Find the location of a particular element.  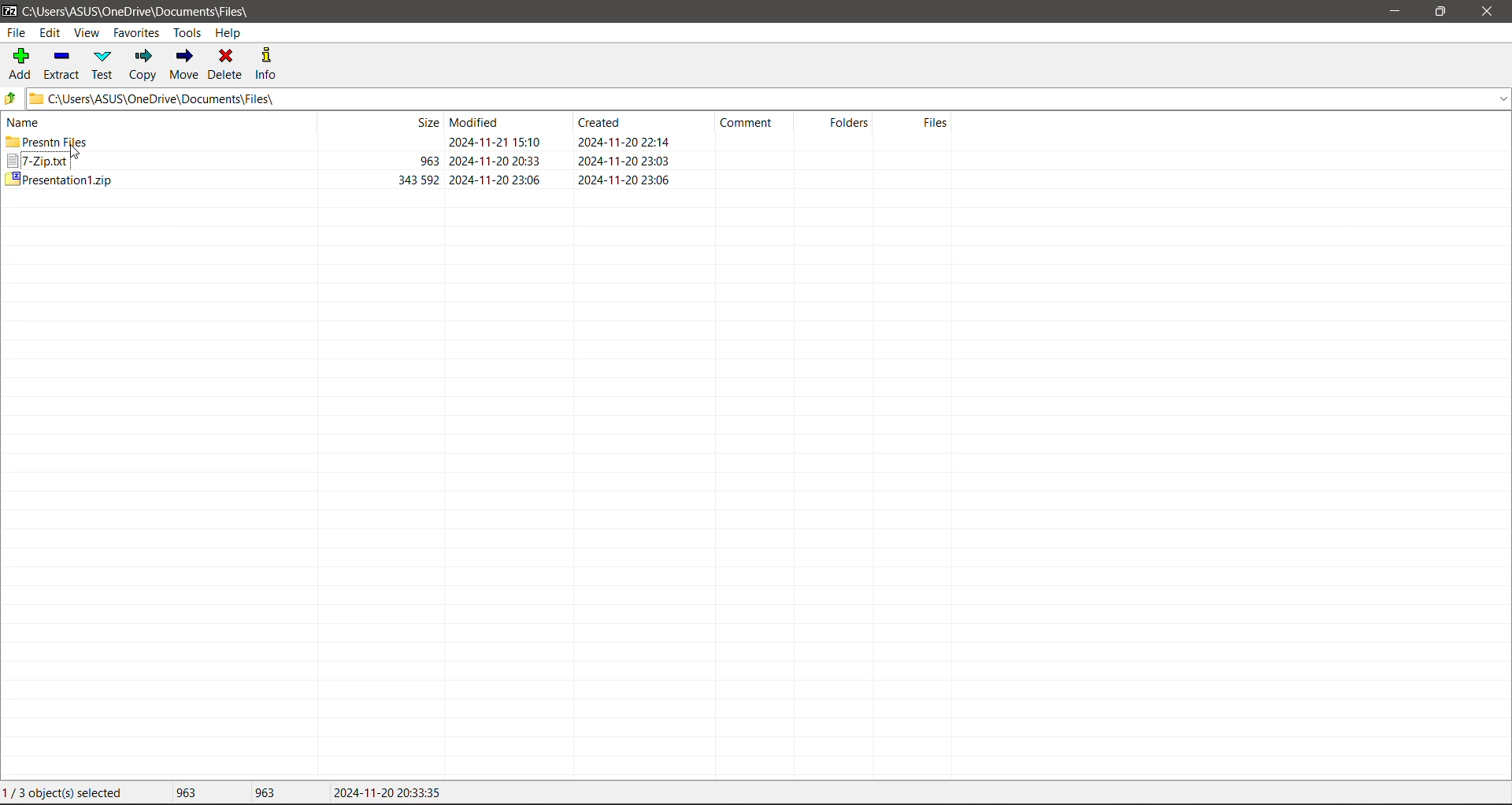

Modified is located at coordinates (479, 120).